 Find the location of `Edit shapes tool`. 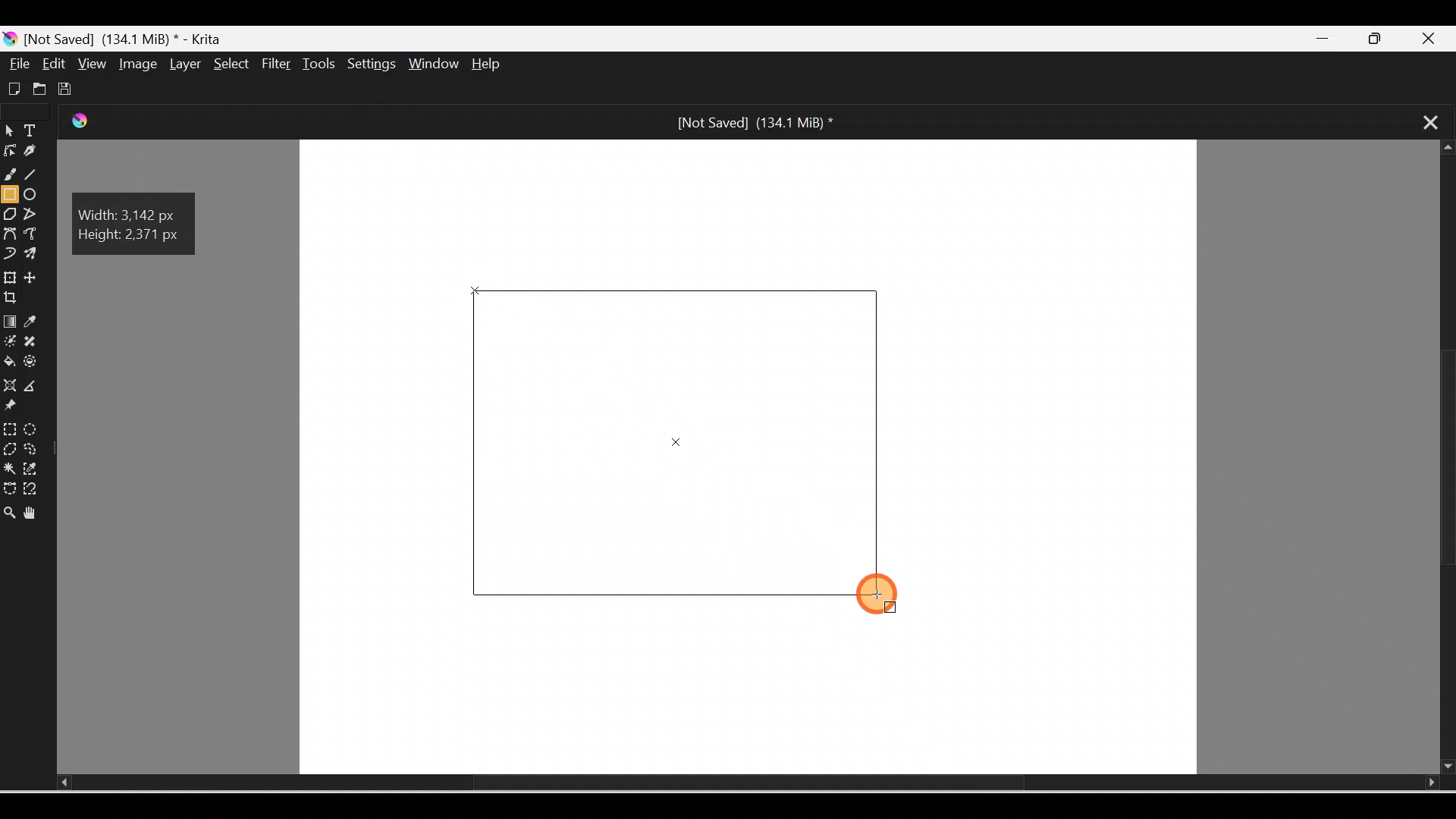

Edit shapes tool is located at coordinates (9, 155).